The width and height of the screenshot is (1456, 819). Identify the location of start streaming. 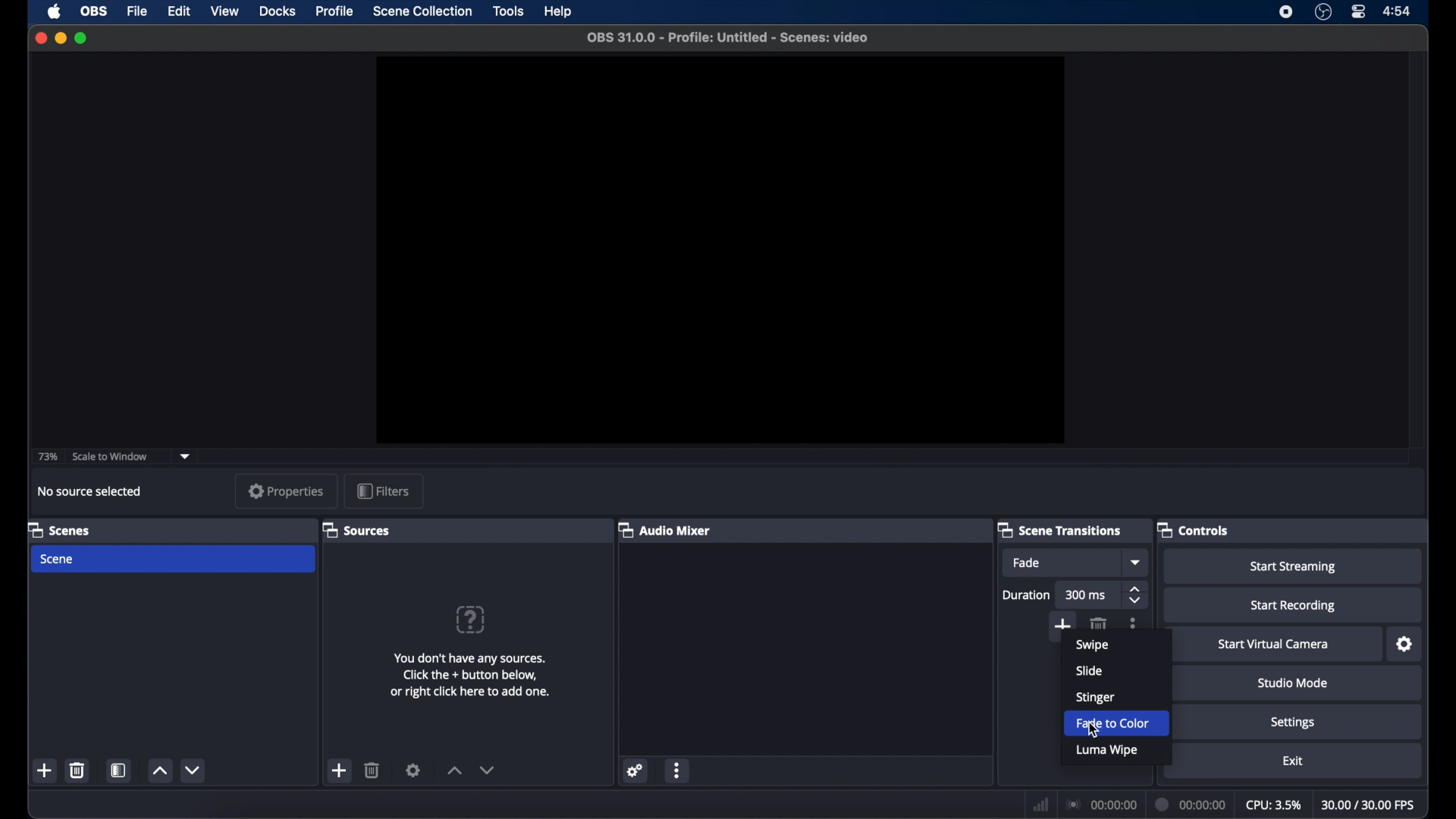
(1294, 567).